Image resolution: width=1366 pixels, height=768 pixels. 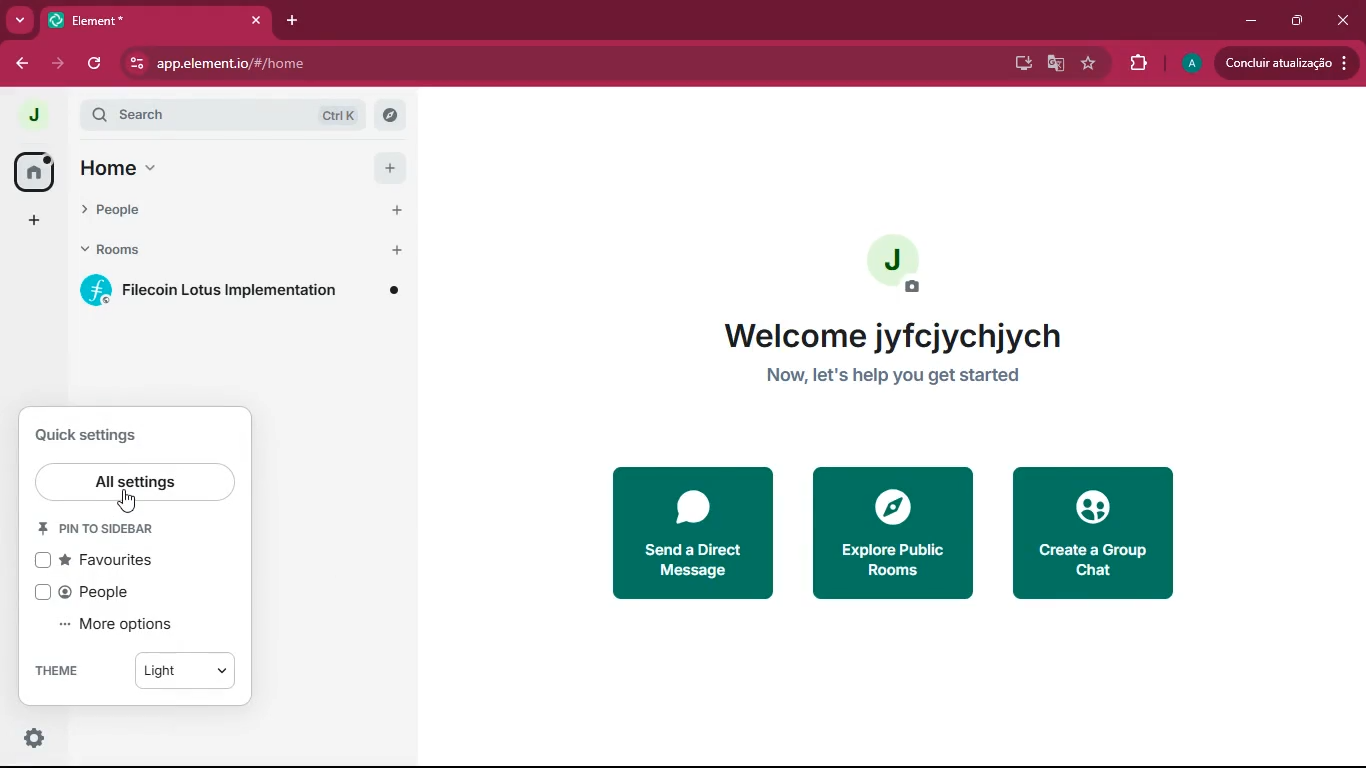 I want to click on forward, so click(x=55, y=64).